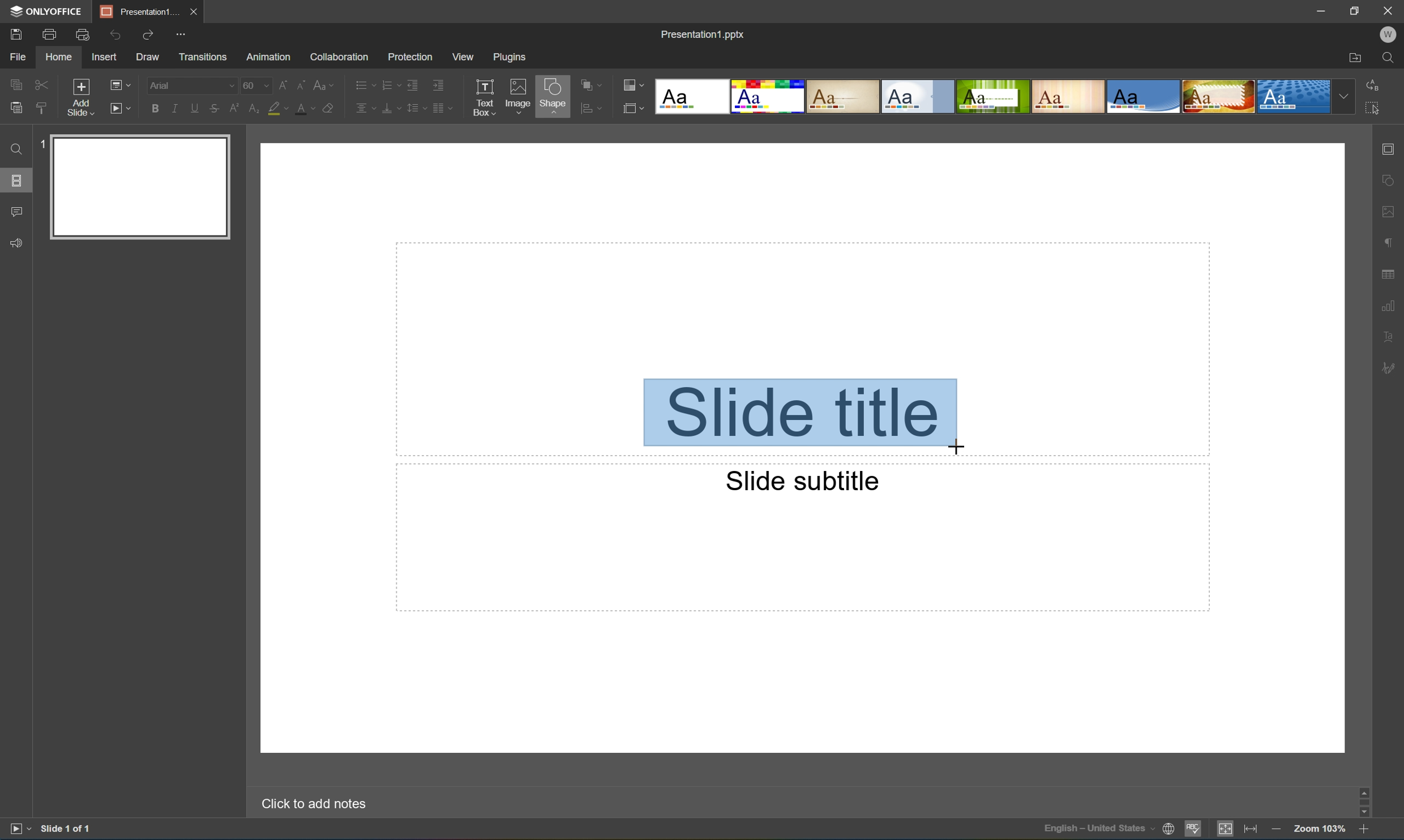  What do you see at coordinates (17, 212) in the screenshot?
I see `Comments` at bounding box center [17, 212].